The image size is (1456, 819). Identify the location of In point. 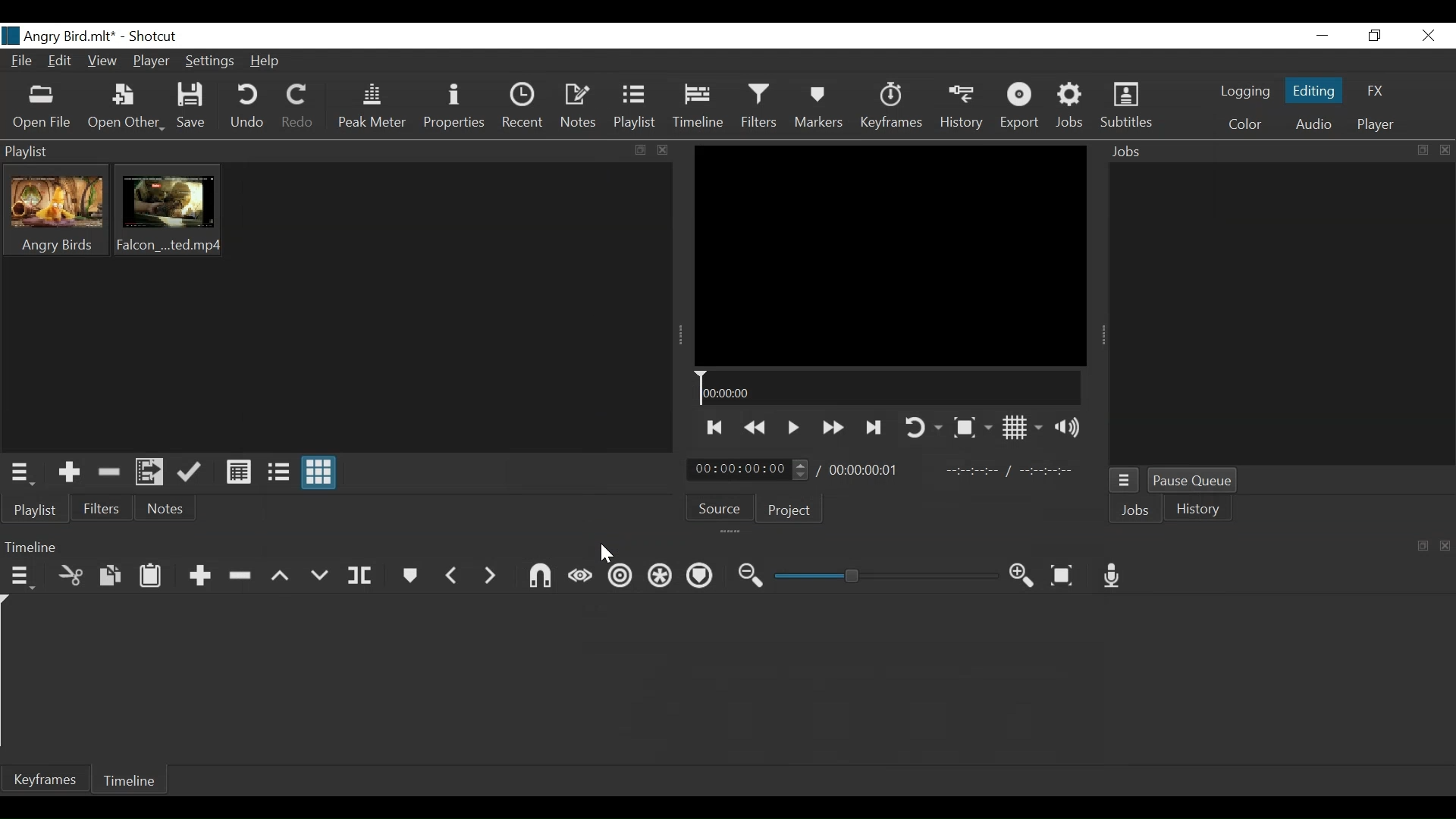
(1006, 469).